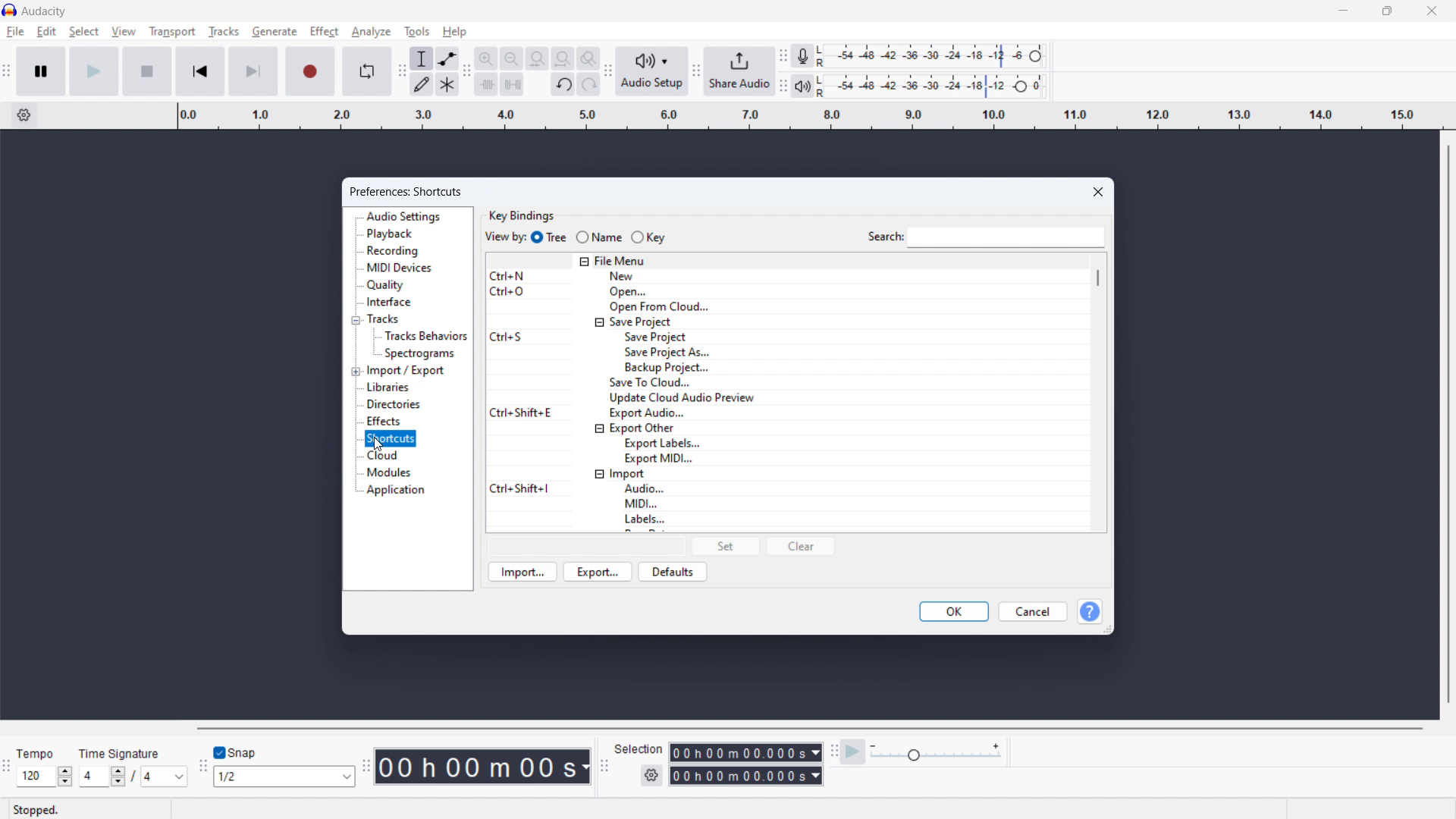 Image resolution: width=1456 pixels, height=819 pixels. I want to click on horizontal scrollbar, so click(808, 729).